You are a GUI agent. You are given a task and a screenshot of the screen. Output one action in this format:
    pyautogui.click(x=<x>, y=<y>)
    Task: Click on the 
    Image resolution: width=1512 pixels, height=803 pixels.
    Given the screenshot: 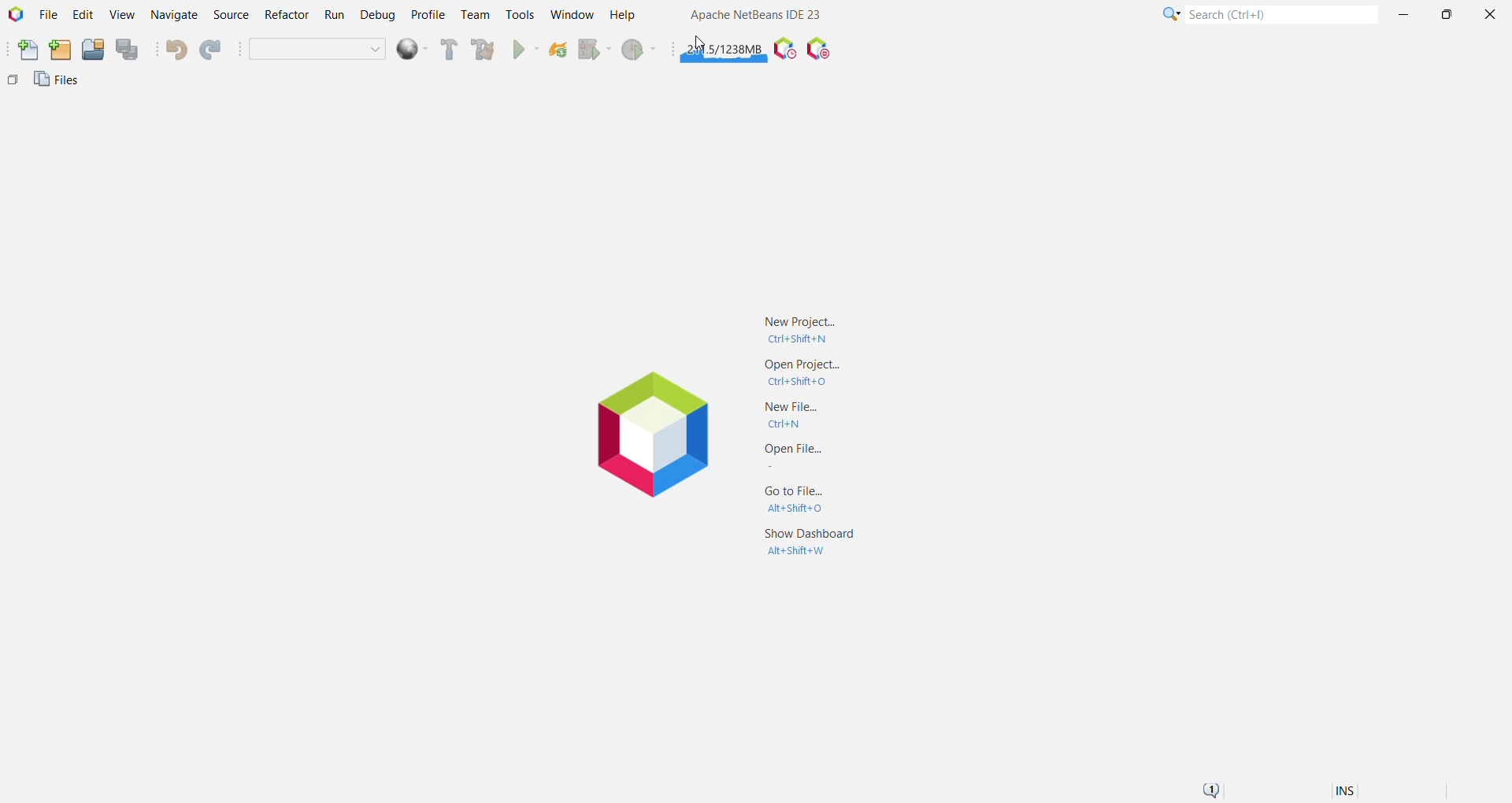 What is the action you would take?
    pyautogui.click(x=13, y=83)
    